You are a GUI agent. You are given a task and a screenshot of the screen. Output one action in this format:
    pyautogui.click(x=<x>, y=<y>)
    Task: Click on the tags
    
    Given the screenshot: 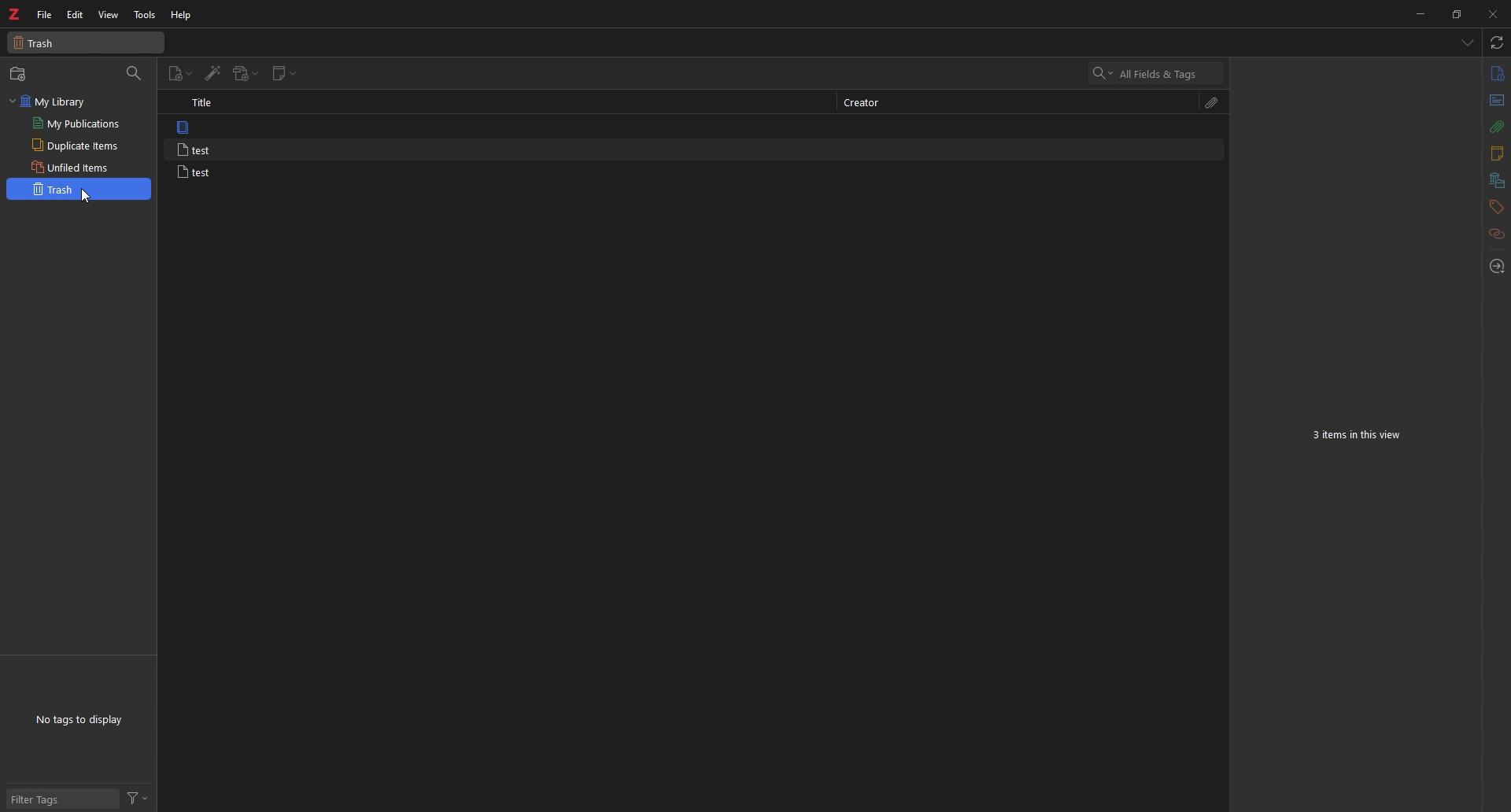 What is the action you would take?
    pyautogui.click(x=1494, y=207)
    